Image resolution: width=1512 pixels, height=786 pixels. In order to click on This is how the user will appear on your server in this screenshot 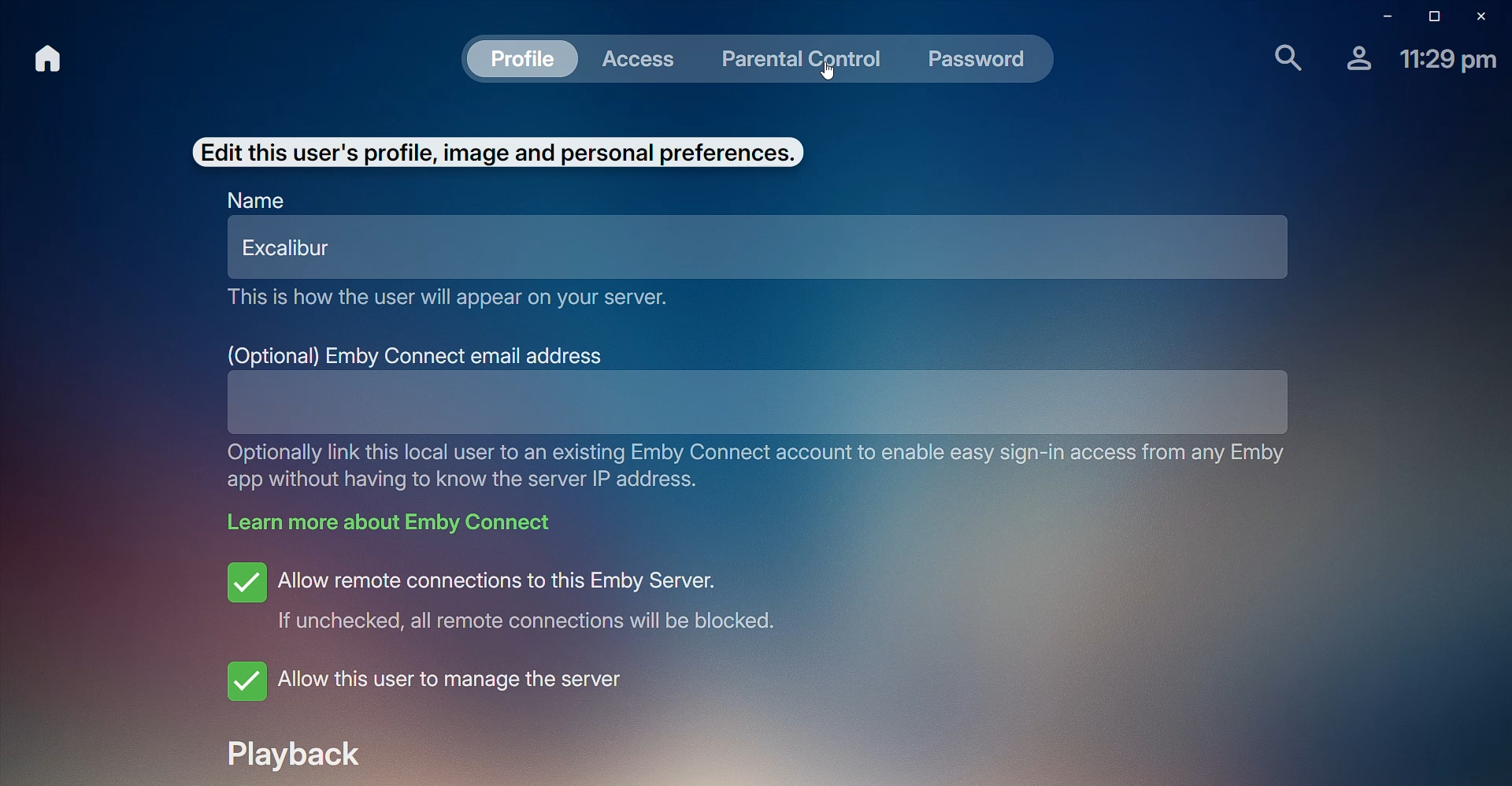, I will do `click(456, 304)`.